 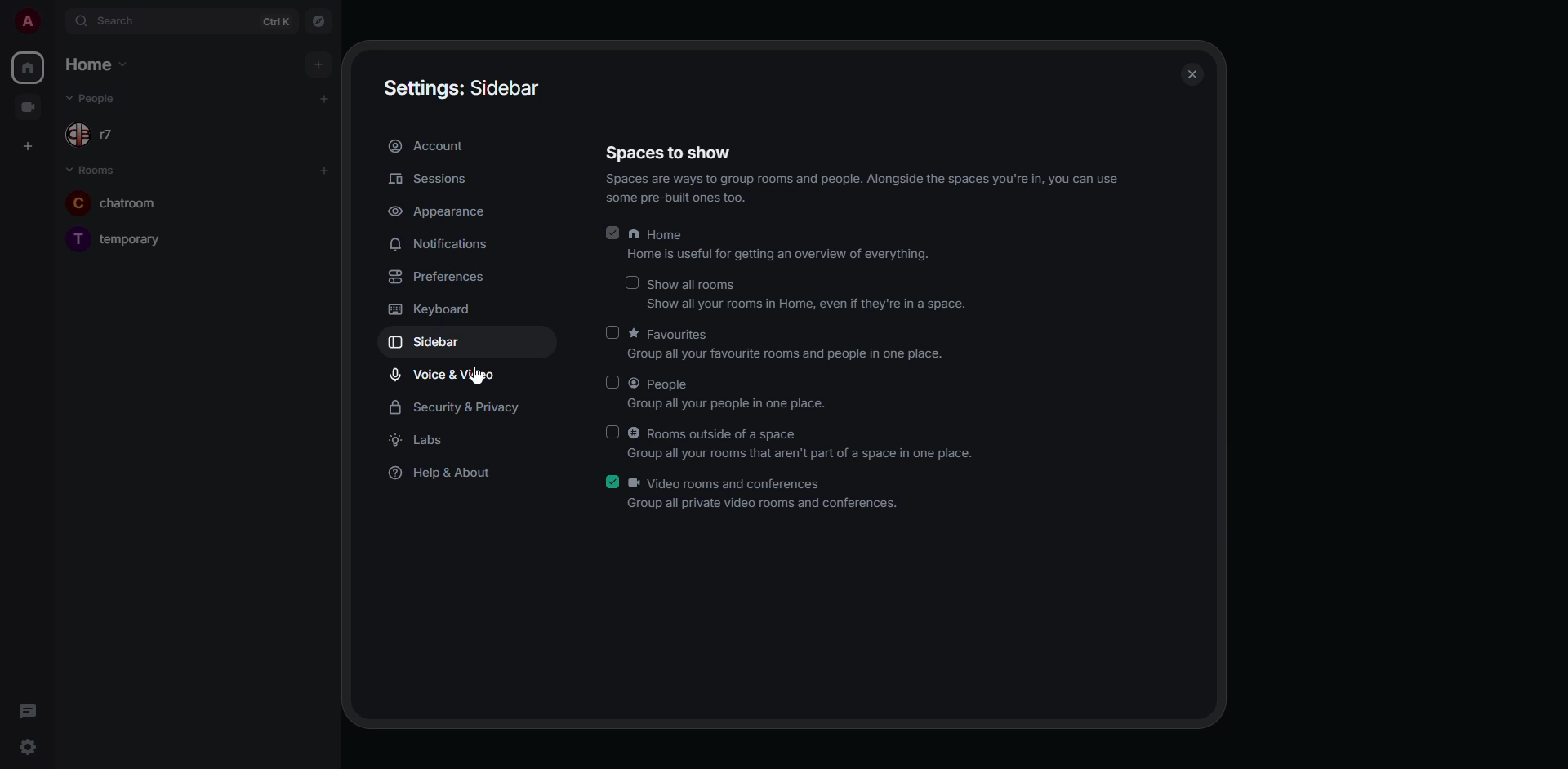 I want to click on enabled, so click(x=610, y=481).